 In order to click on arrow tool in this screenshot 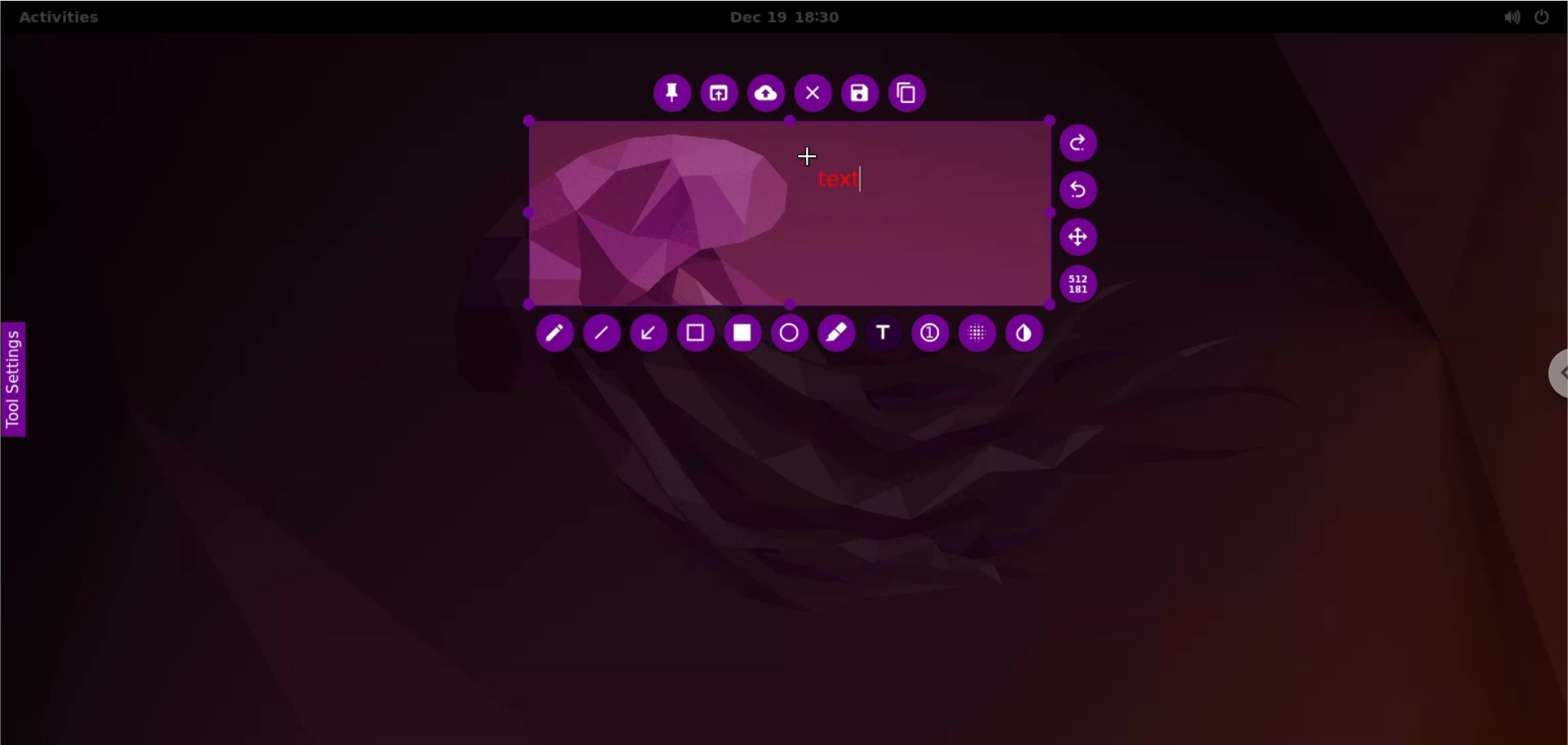, I will do `click(653, 336)`.